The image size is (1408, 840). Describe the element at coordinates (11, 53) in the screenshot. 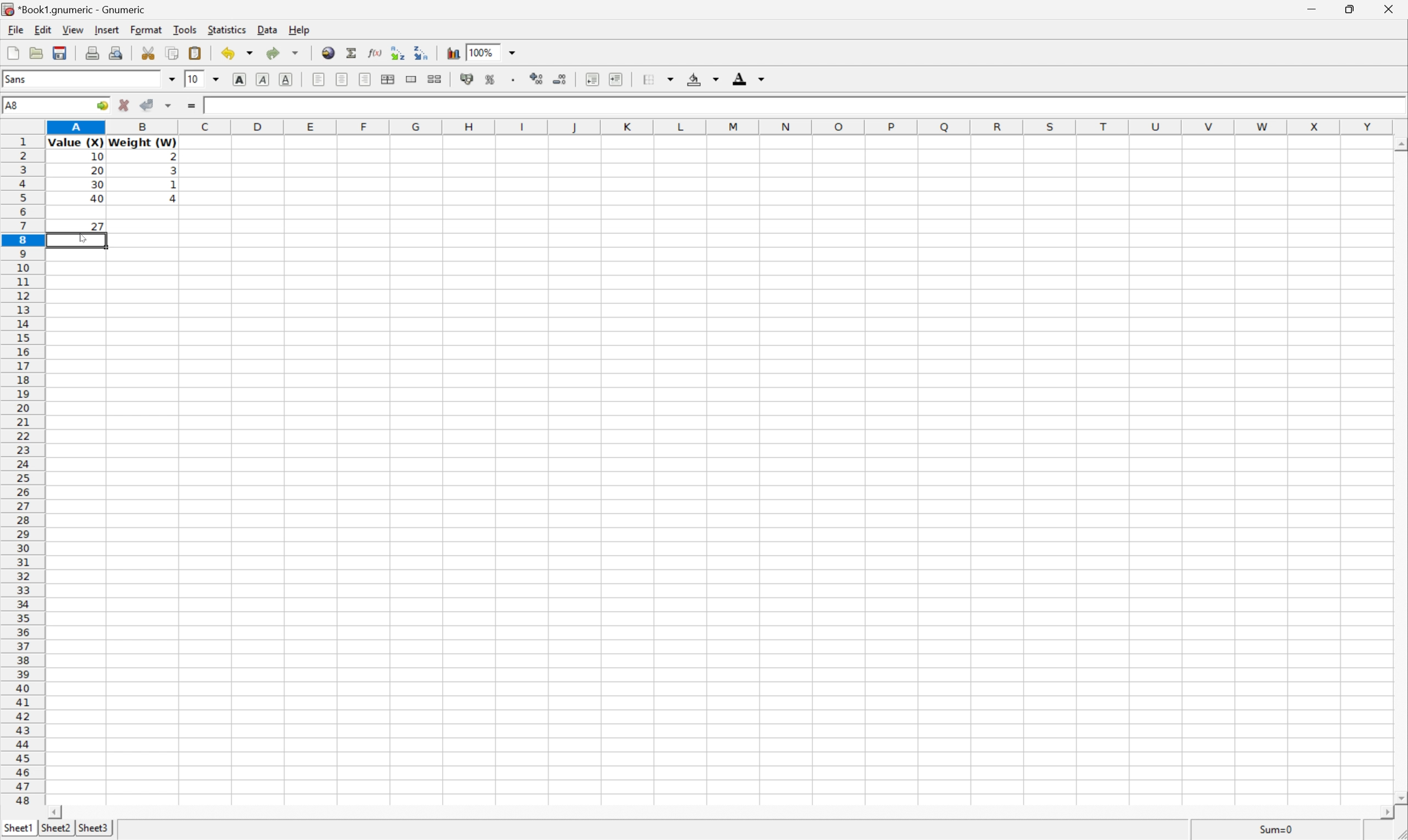

I see `Create a workbook` at that location.